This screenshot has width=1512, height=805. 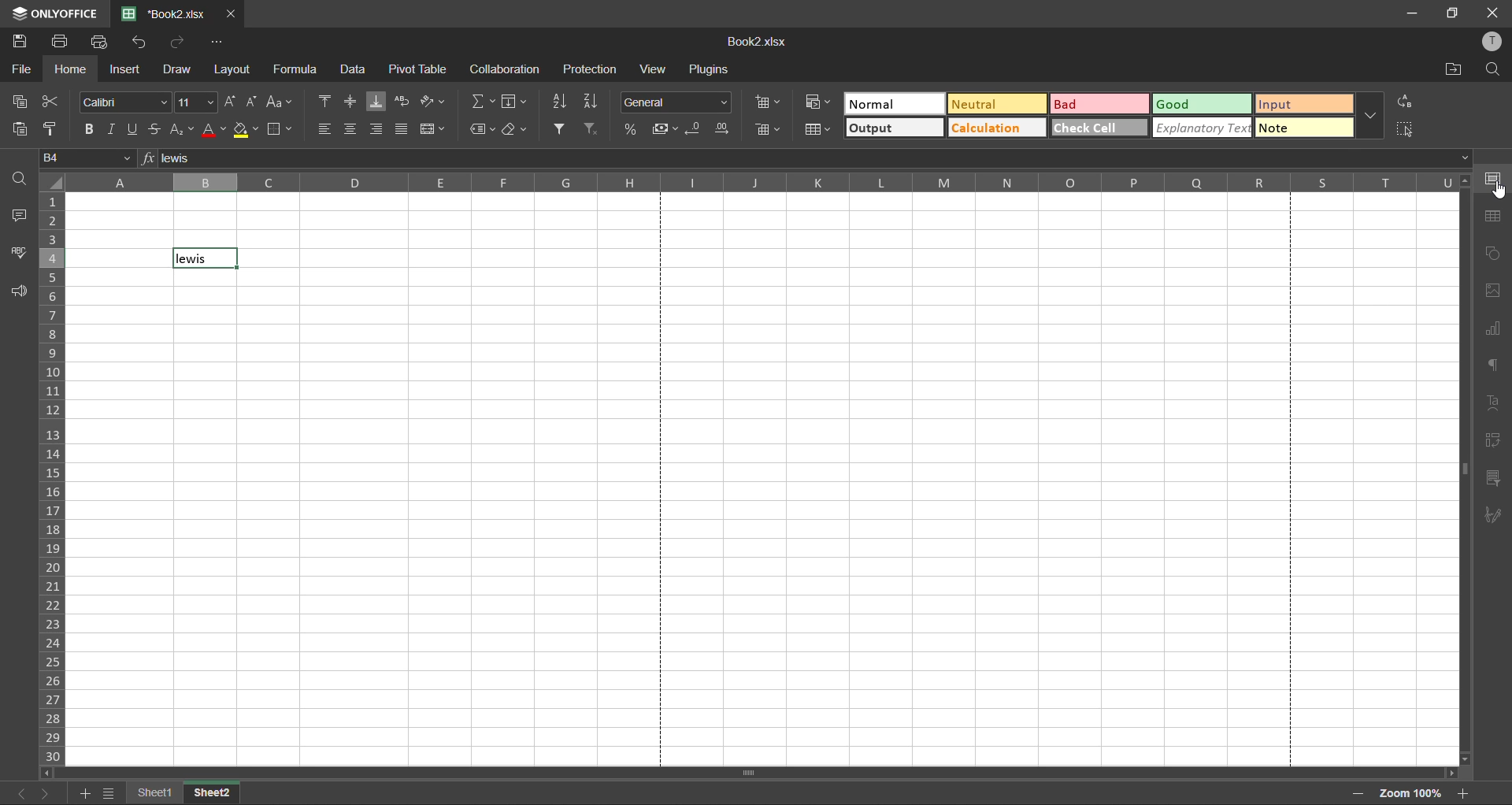 I want to click on bold, so click(x=85, y=131).